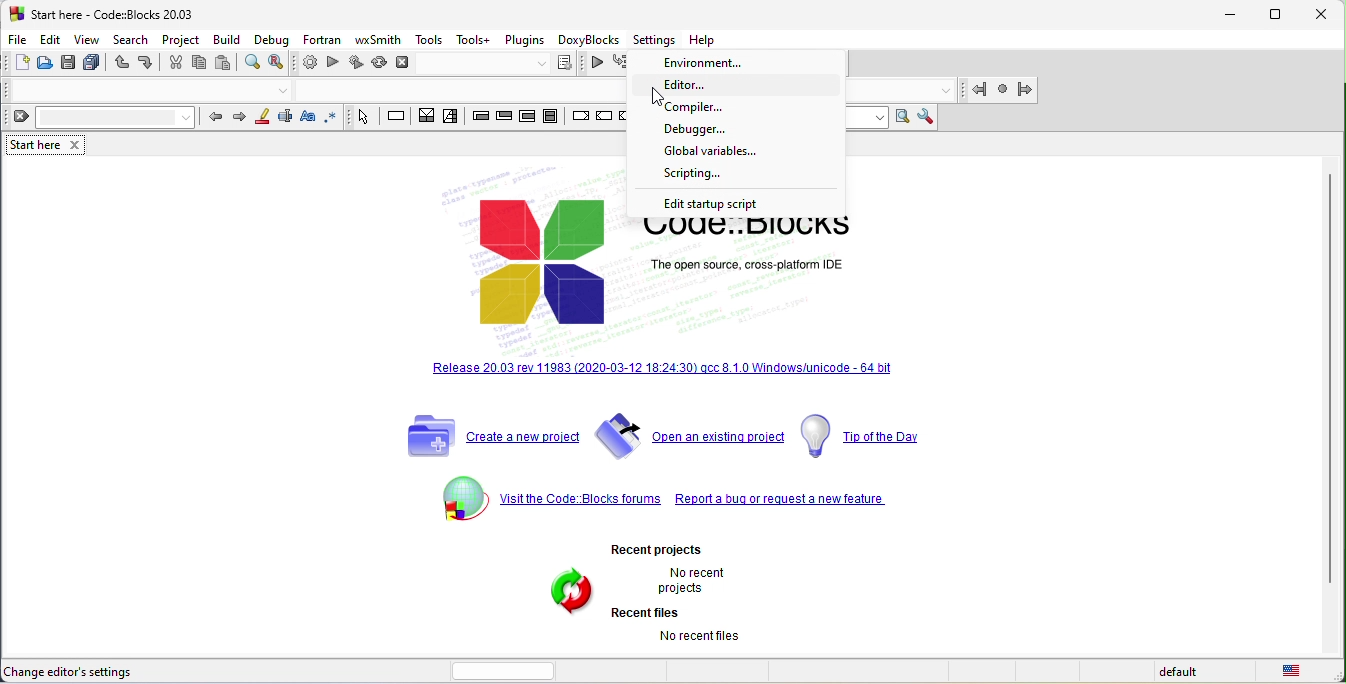 The width and height of the screenshot is (1346, 684). Describe the element at coordinates (477, 118) in the screenshot. I see `entry` at that location.